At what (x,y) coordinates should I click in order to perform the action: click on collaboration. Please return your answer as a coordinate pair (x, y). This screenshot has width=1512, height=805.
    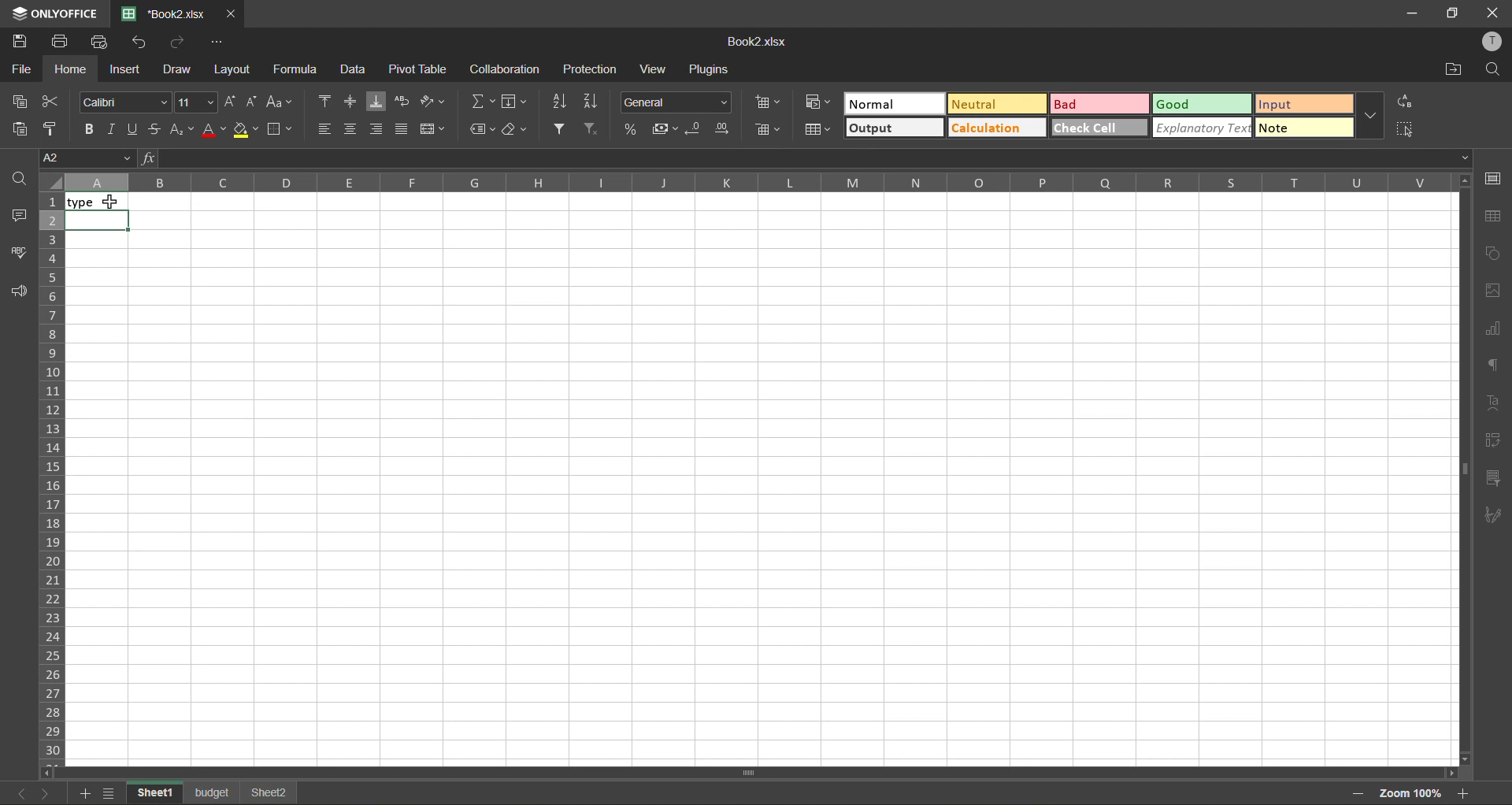
    Looking at the image, I should click on (508, 69).